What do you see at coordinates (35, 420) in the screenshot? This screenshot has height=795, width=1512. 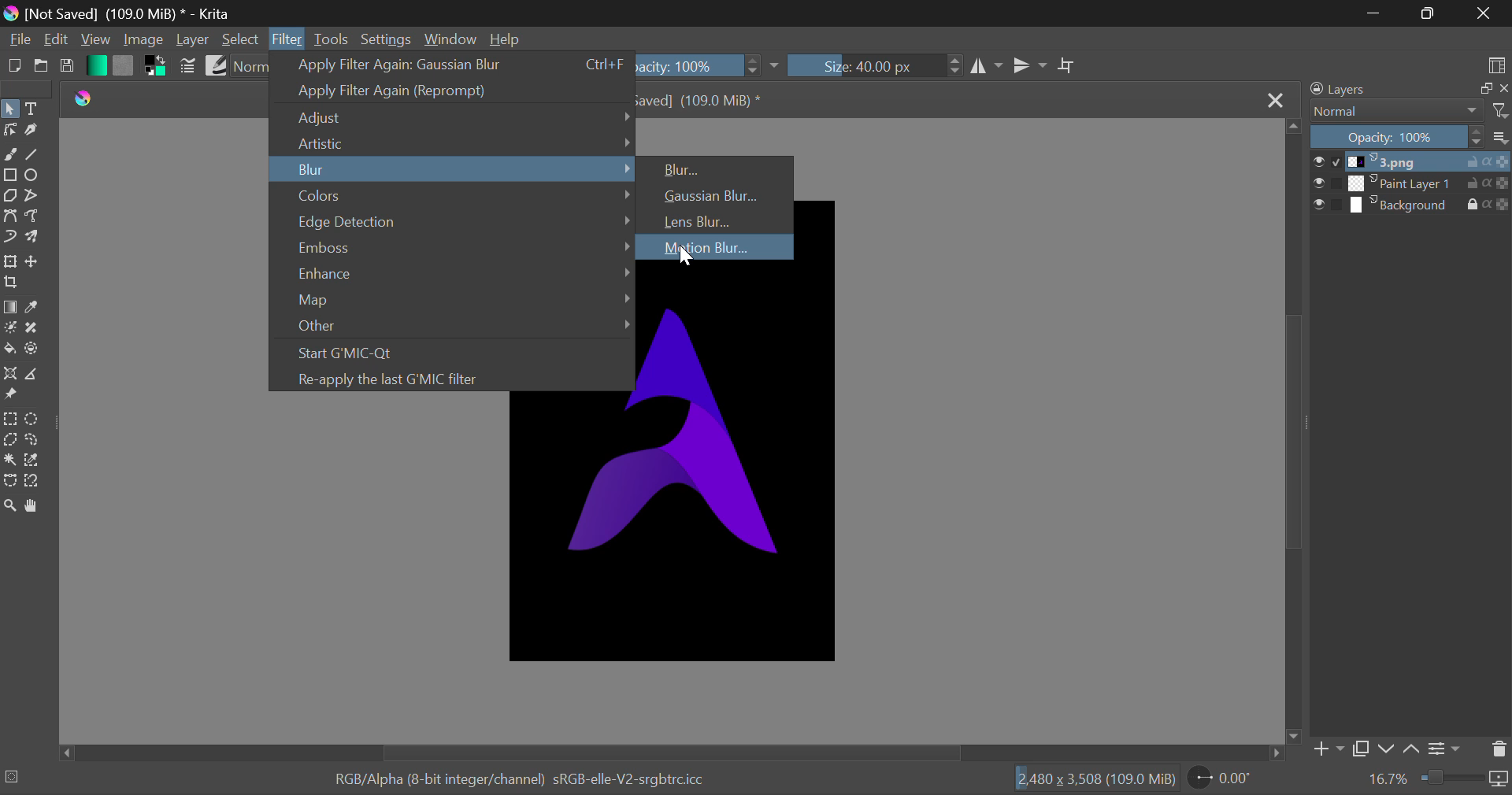 I see `Circular Selection Tool` at bounding box center [35, 420].